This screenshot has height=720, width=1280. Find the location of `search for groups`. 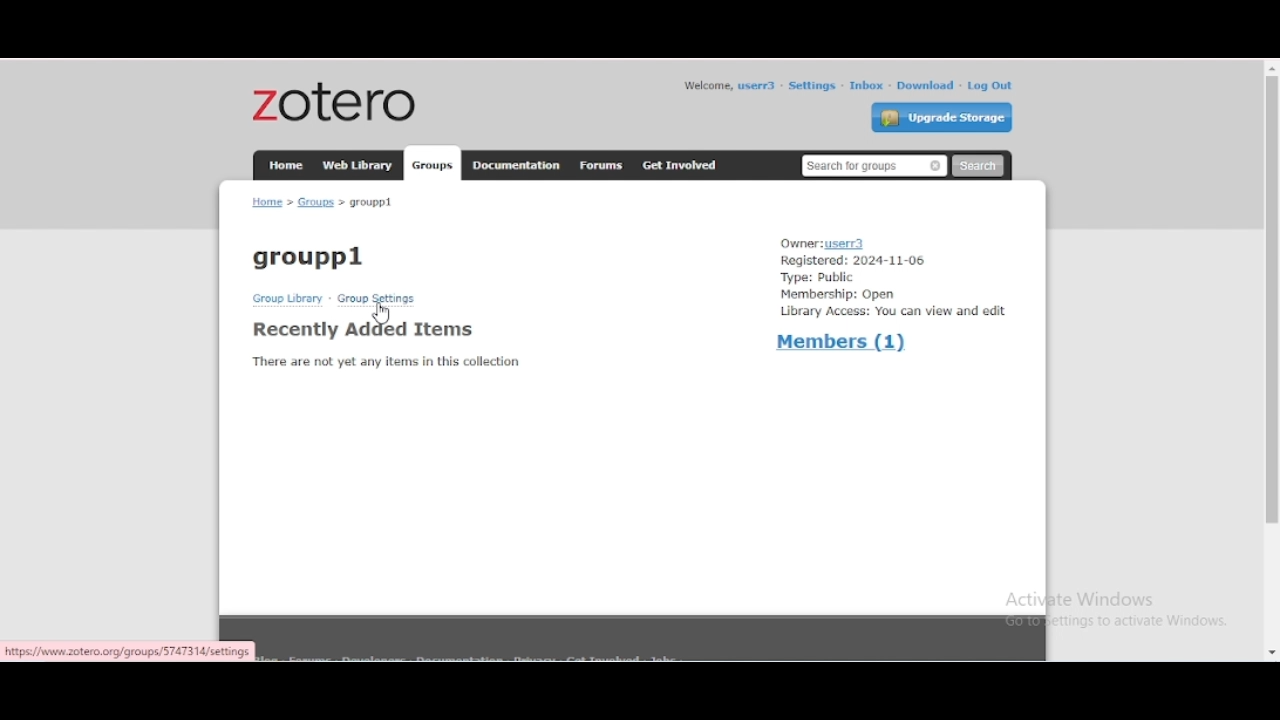

search for groups is located at coordinates (874, 167).